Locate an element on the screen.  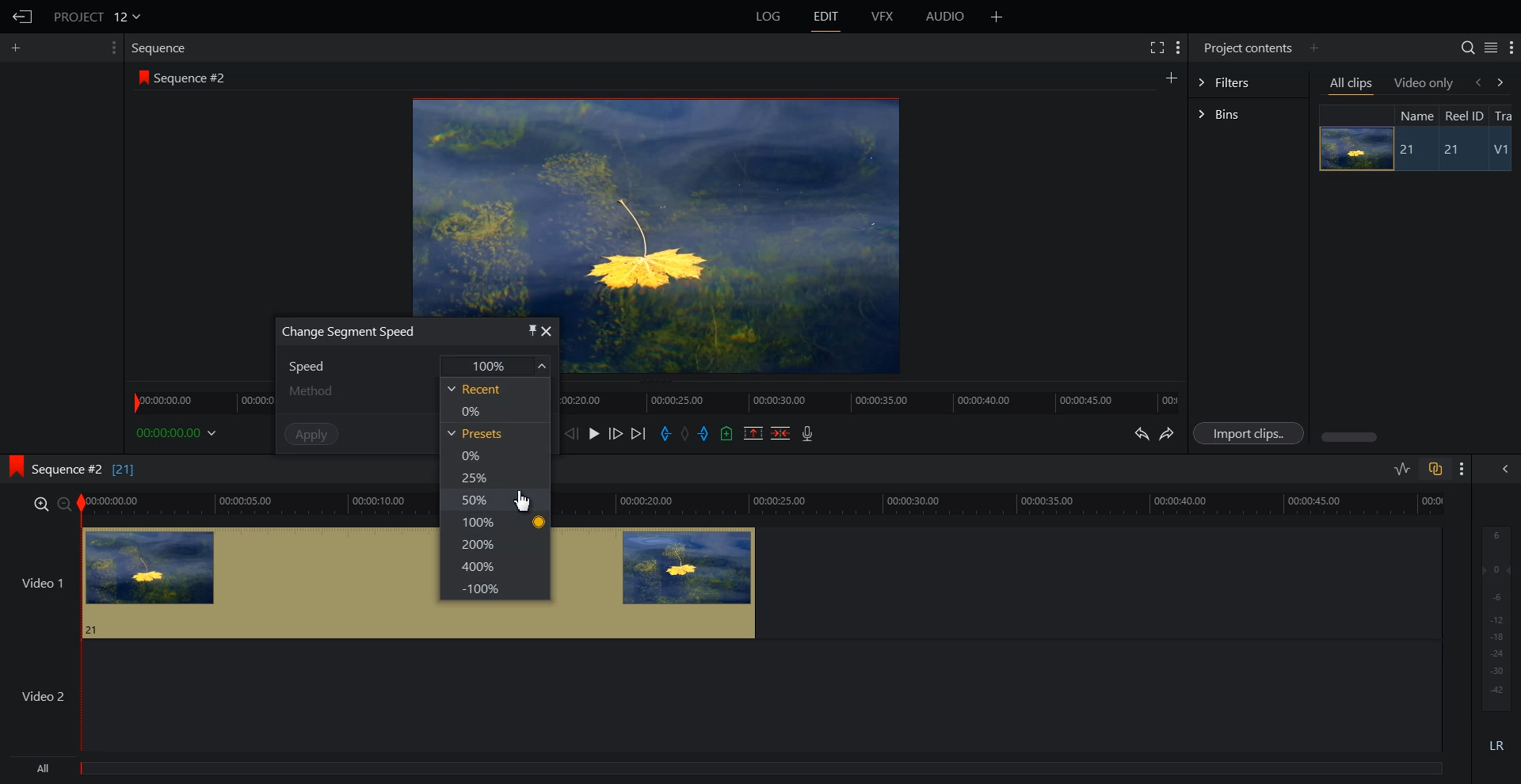
Cursor is located at coordinates (525, 501).